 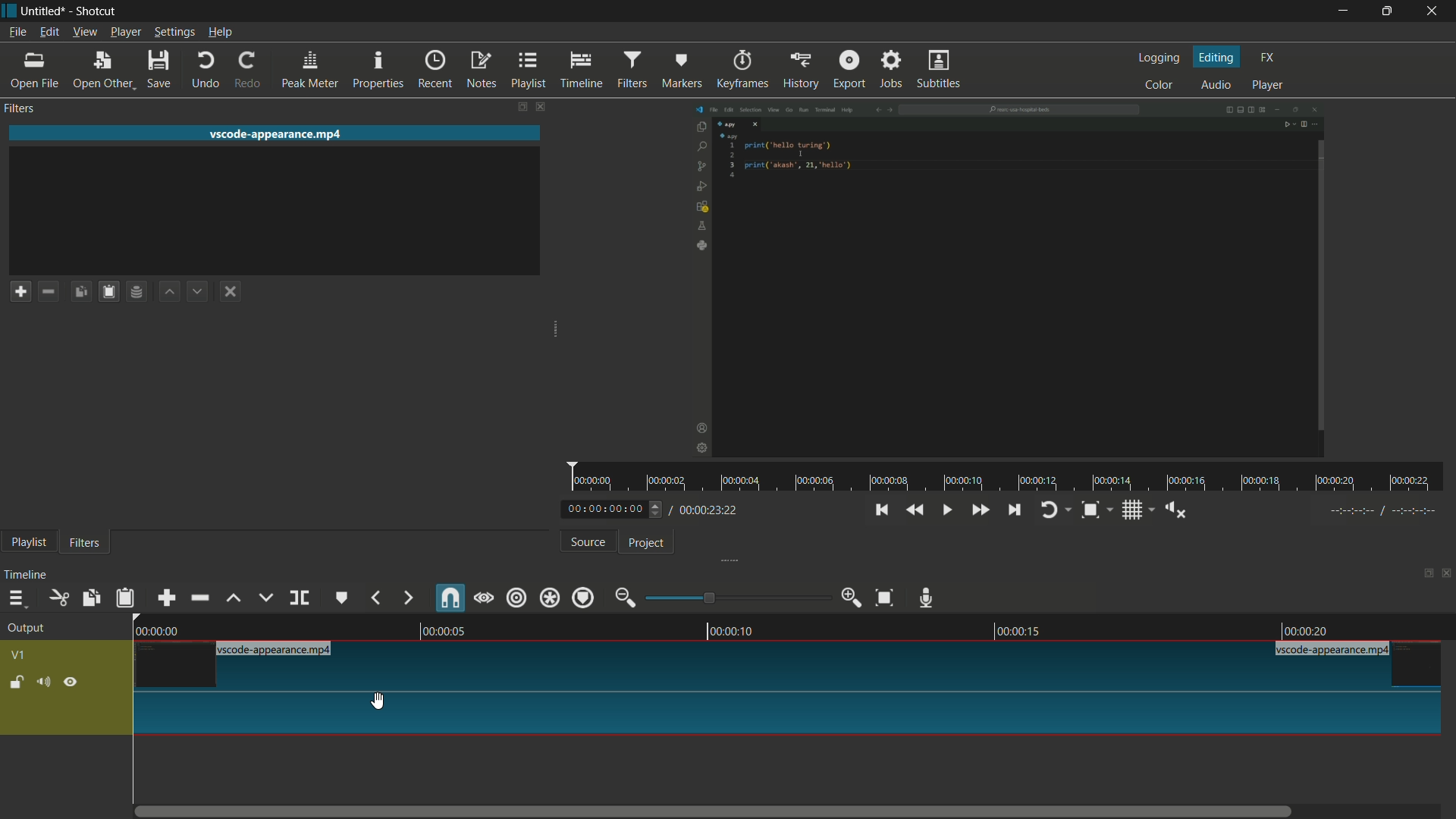 I want to click on ripple, so click(x=516, y=597).